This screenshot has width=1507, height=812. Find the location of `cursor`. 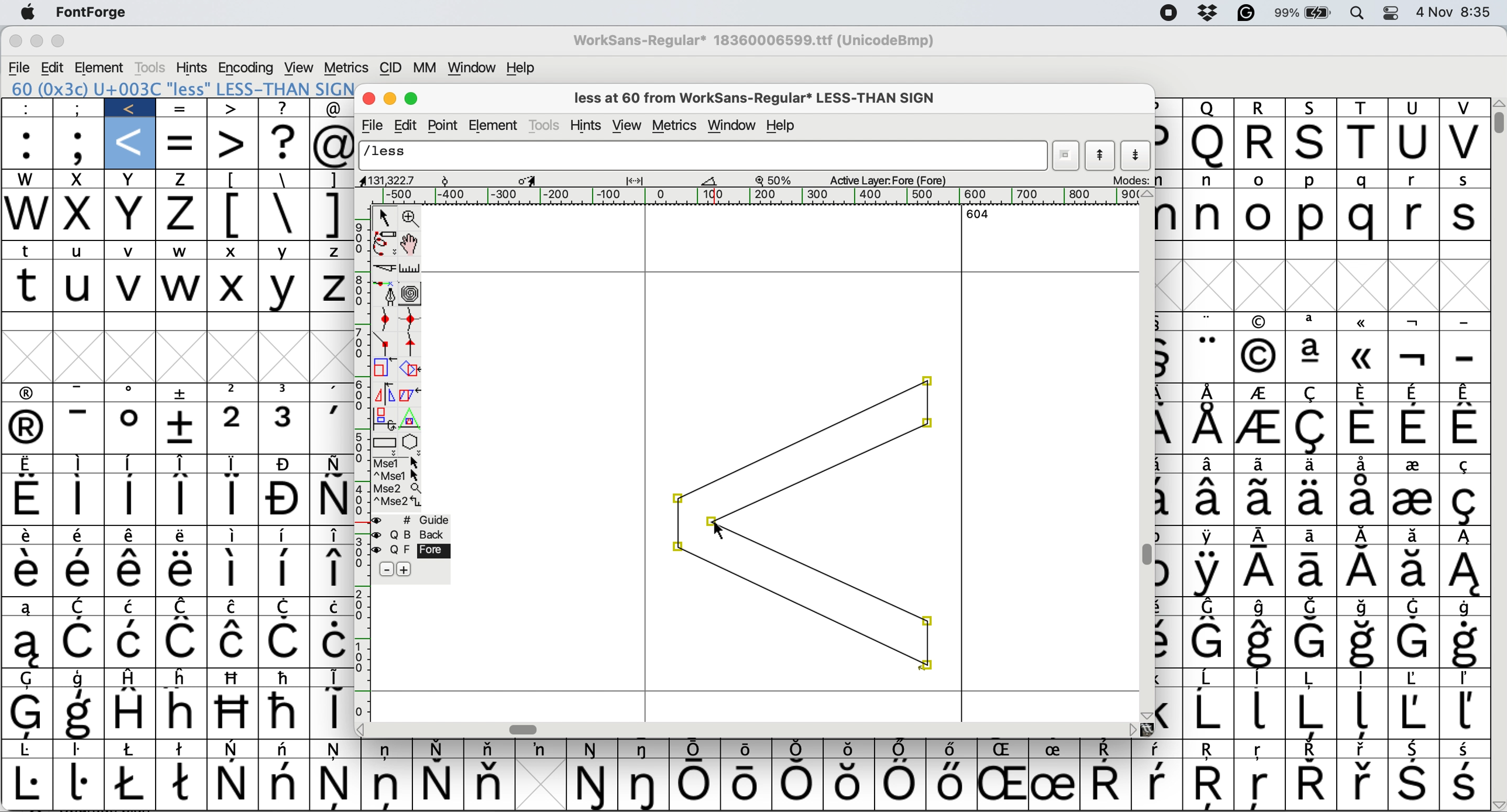

cursor is located at coordinates (717, 529).